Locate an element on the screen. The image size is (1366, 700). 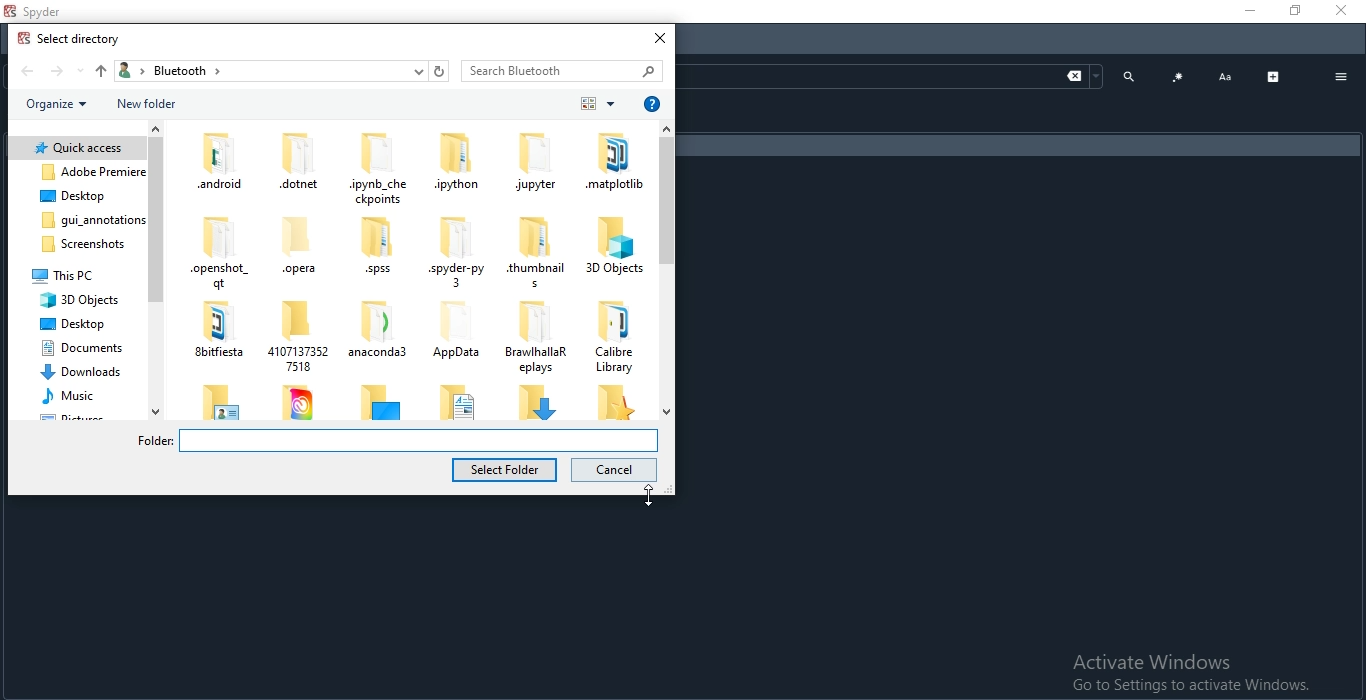
Activate windows is located at coordinates (1190, 673).